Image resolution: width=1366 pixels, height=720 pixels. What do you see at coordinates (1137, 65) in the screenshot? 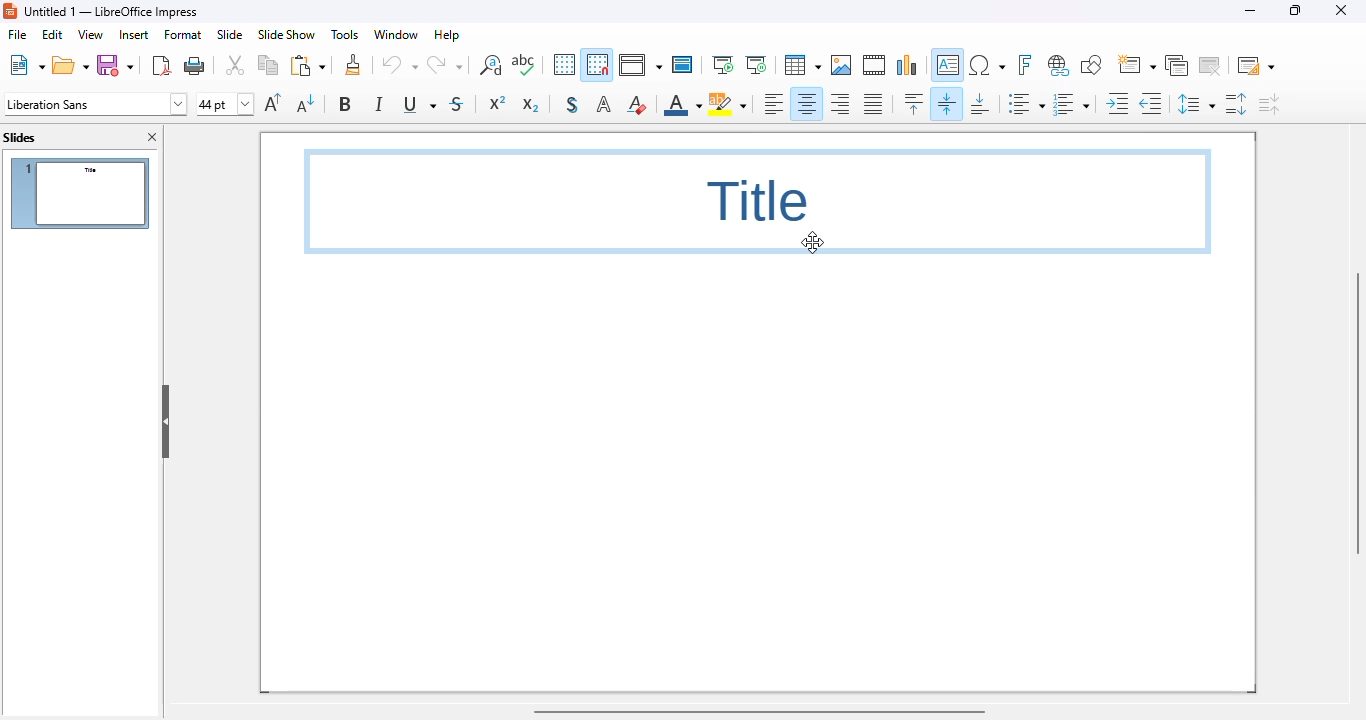
I see `new slide` at bounding box center [1137, 65].